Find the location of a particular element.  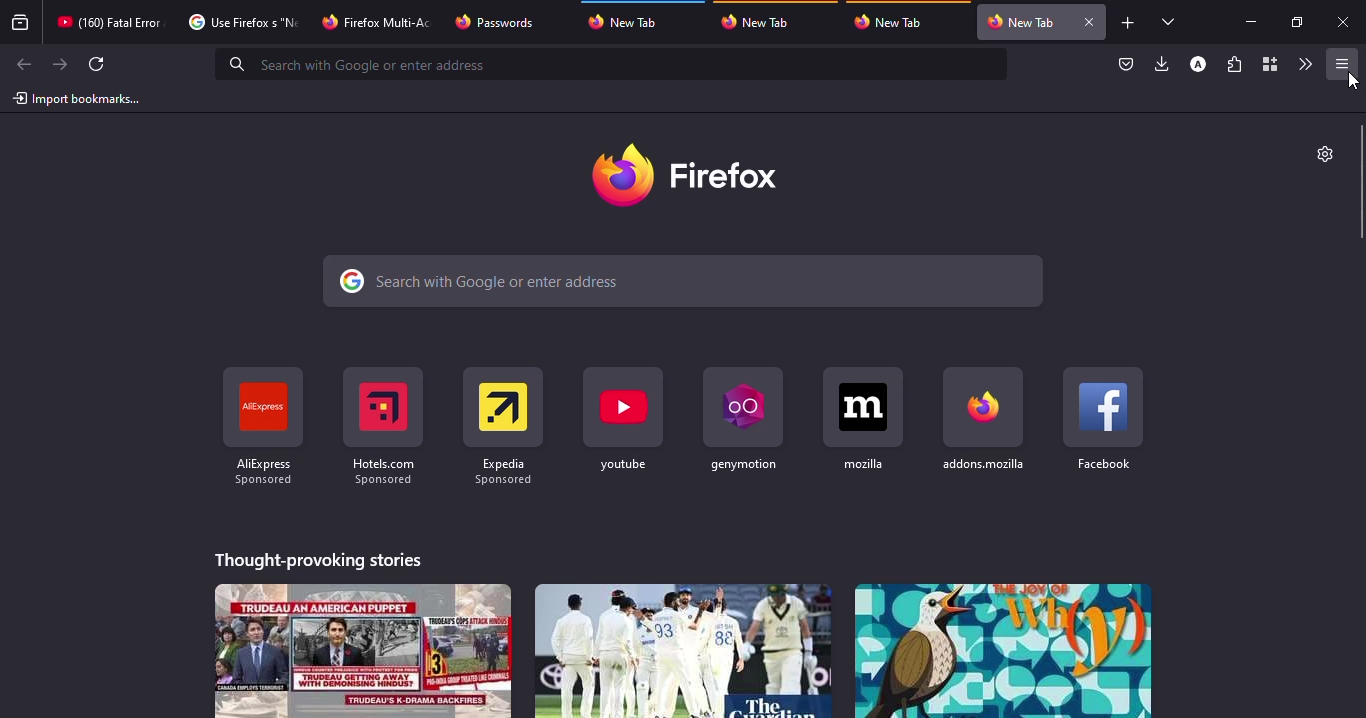

stories is located at coordinates (681, 650).